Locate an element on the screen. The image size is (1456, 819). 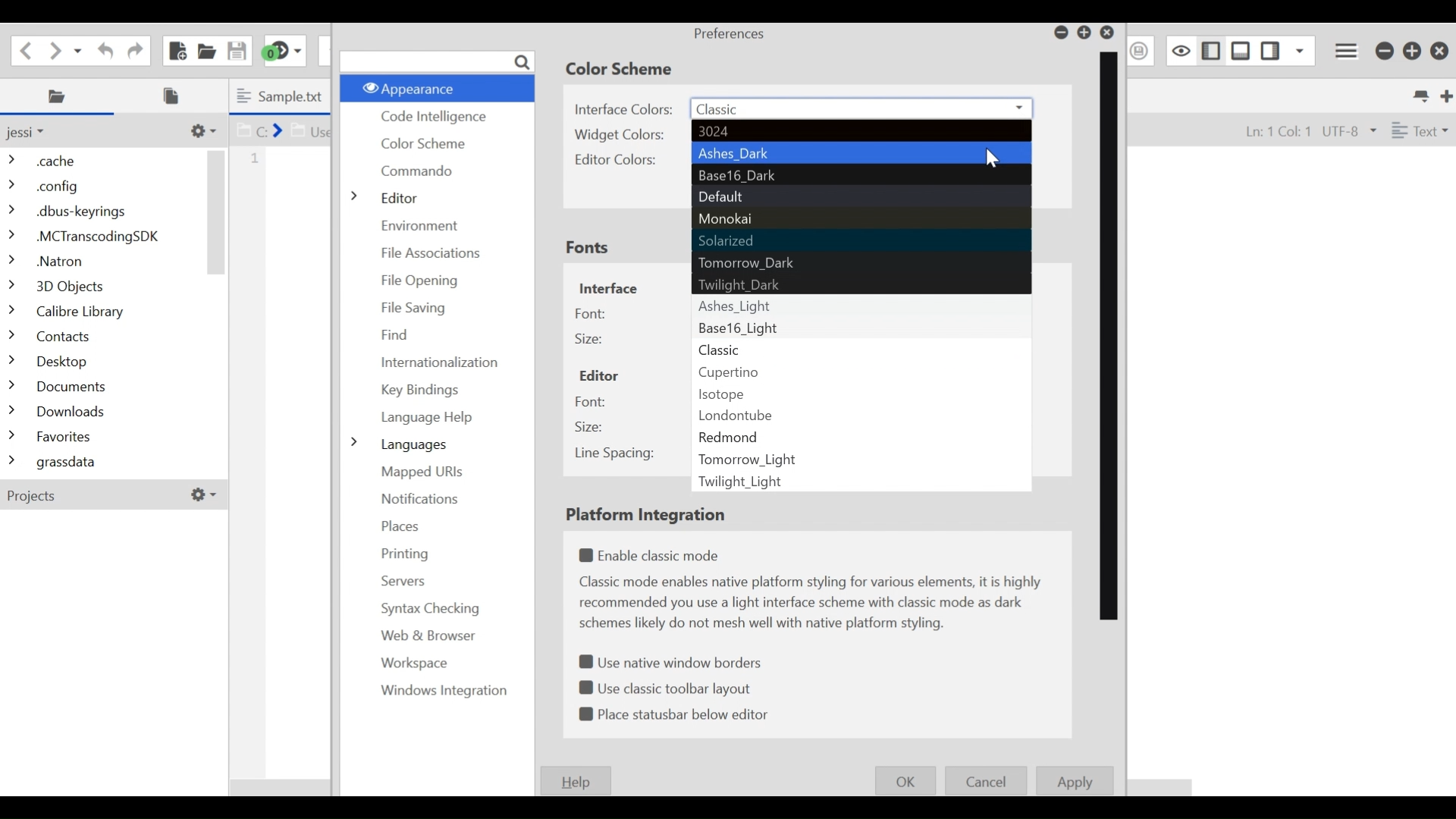
File Saving is located at coordinates (413, 309).